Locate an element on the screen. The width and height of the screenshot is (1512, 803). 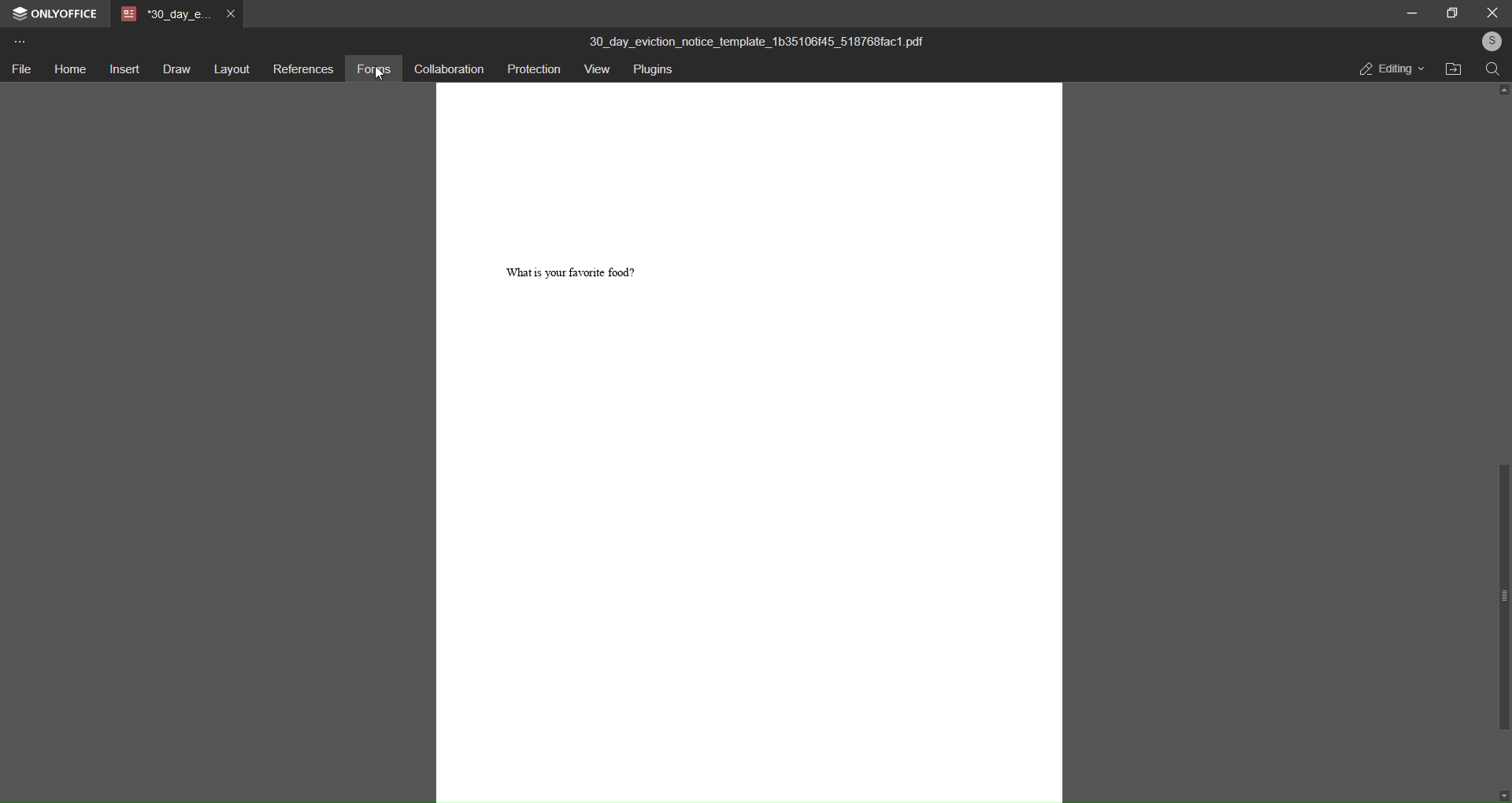
file is located at coordinates (21, 68).